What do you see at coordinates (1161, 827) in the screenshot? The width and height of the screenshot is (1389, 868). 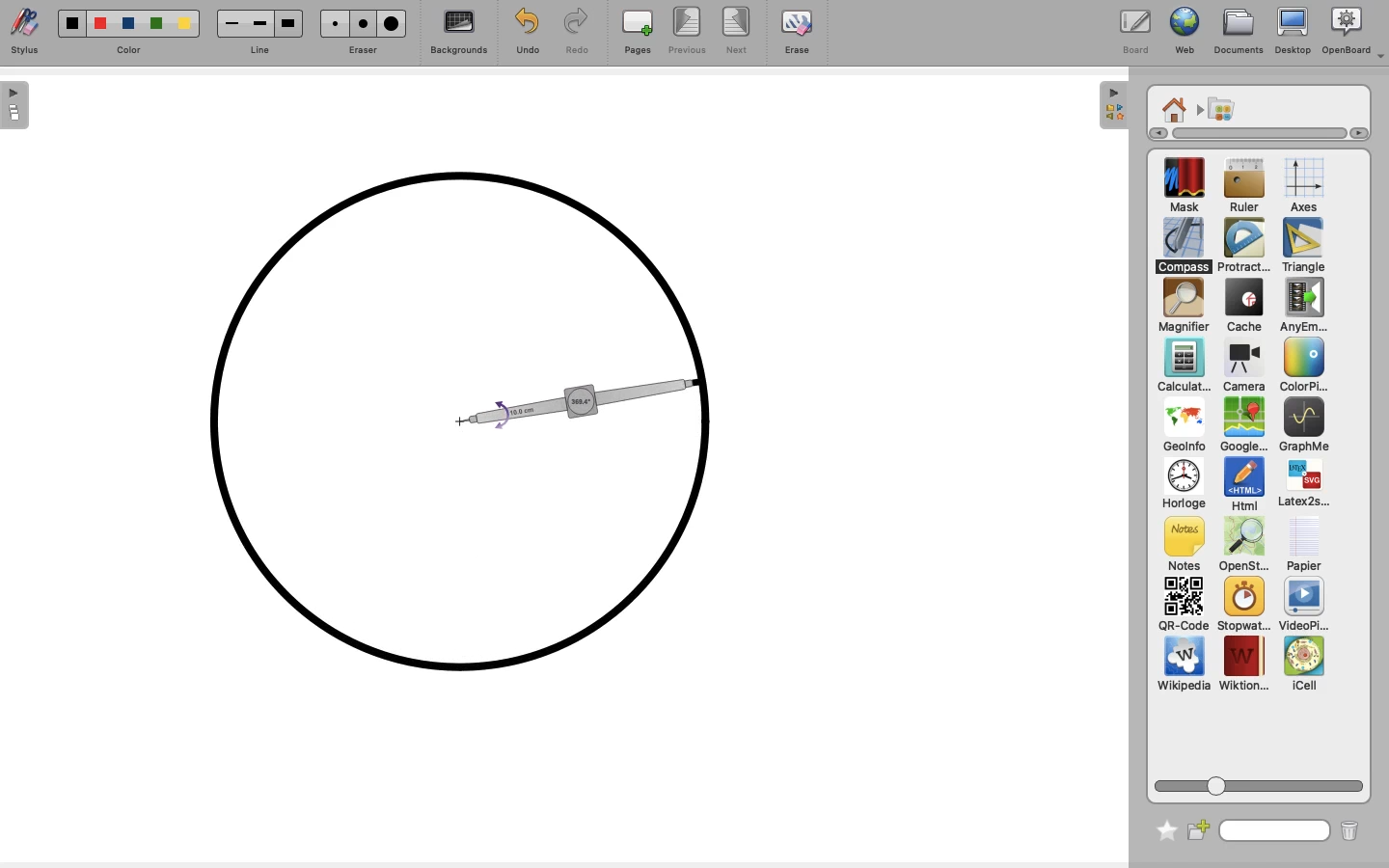 I see `Favorite` at bounding box center [1161, 827].